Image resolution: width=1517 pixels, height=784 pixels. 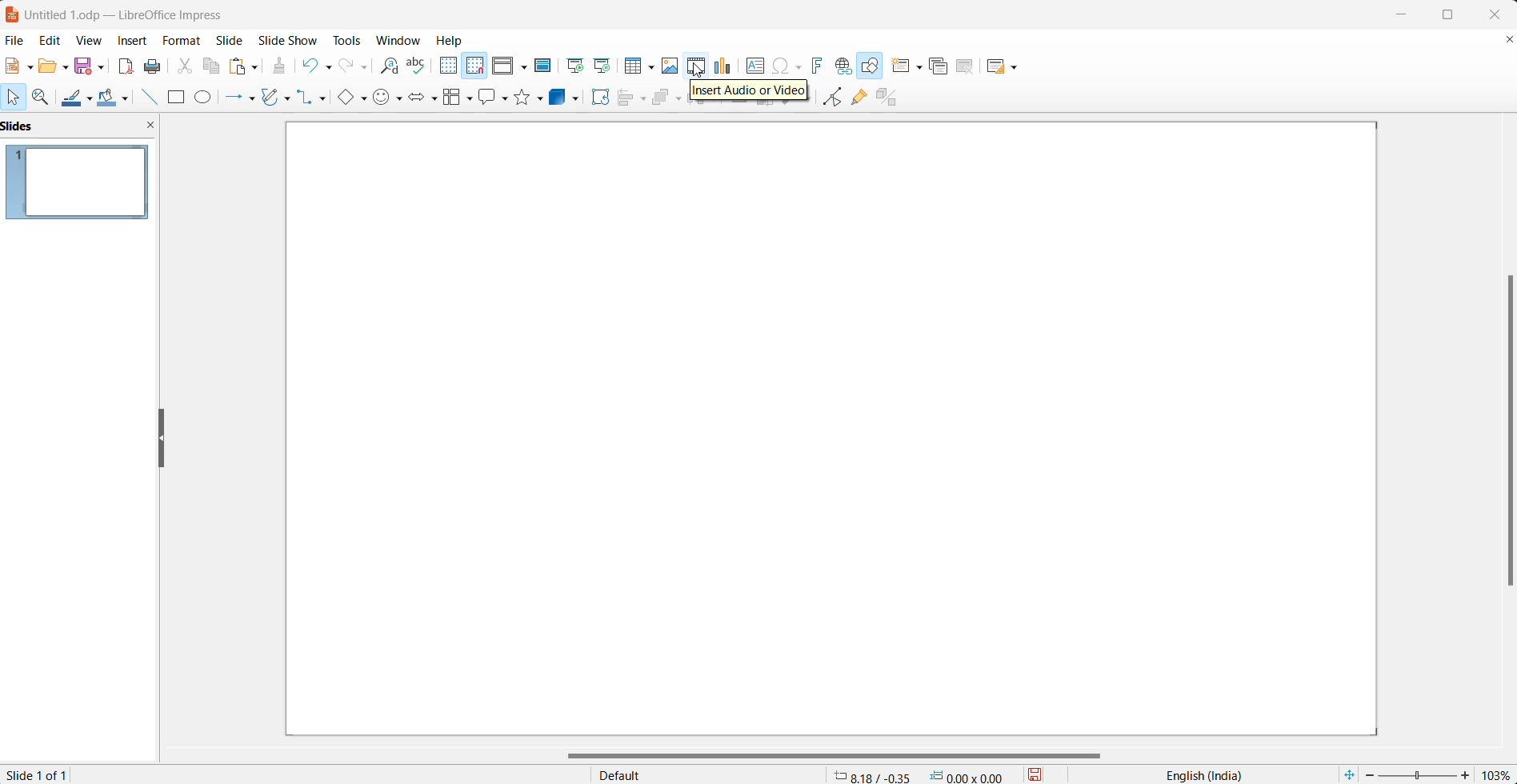 I want to click on insert tool, so click(x=151, y=98).